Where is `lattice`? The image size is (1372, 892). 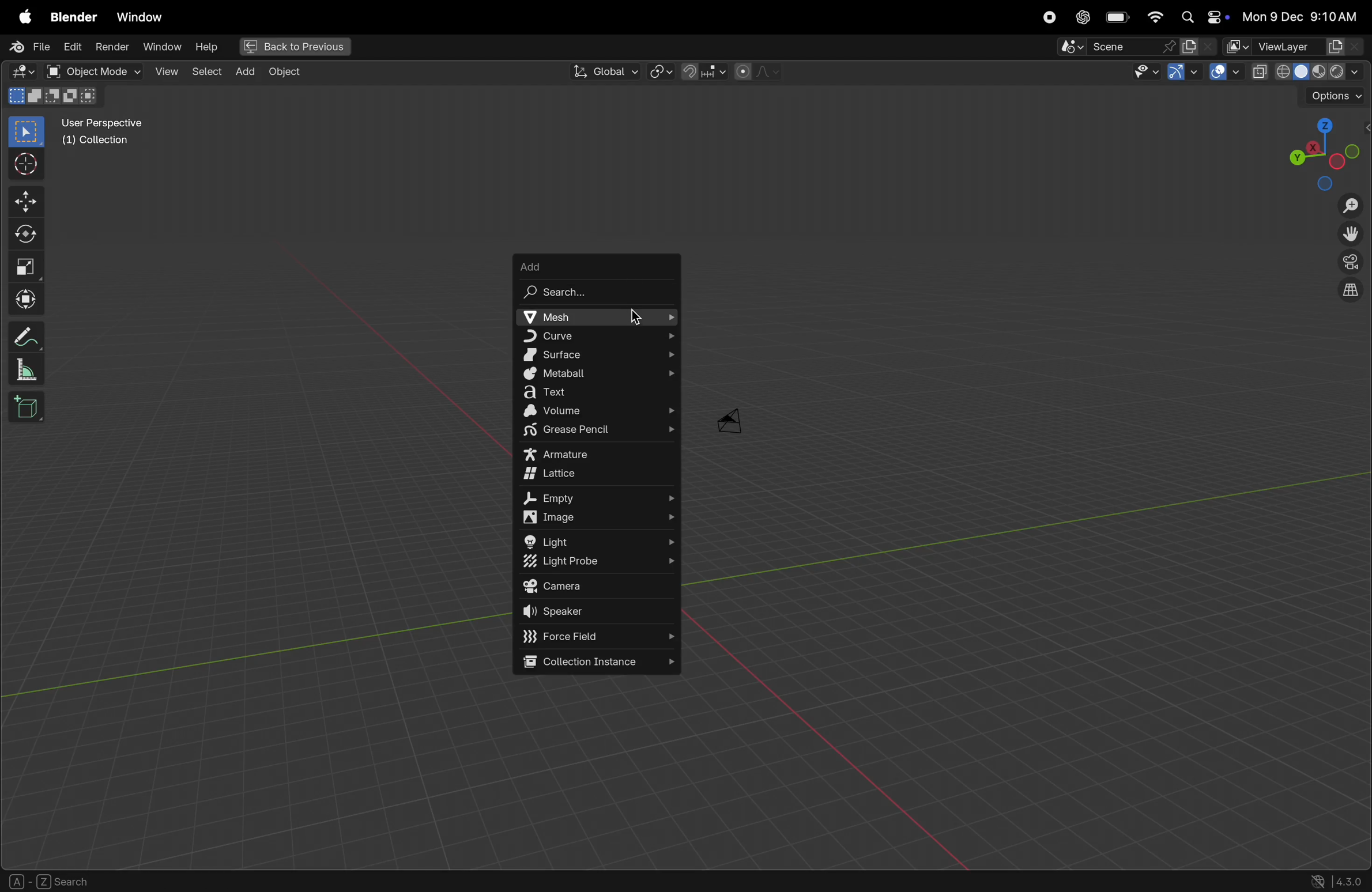
lattice is located at coordinates (597, 477).